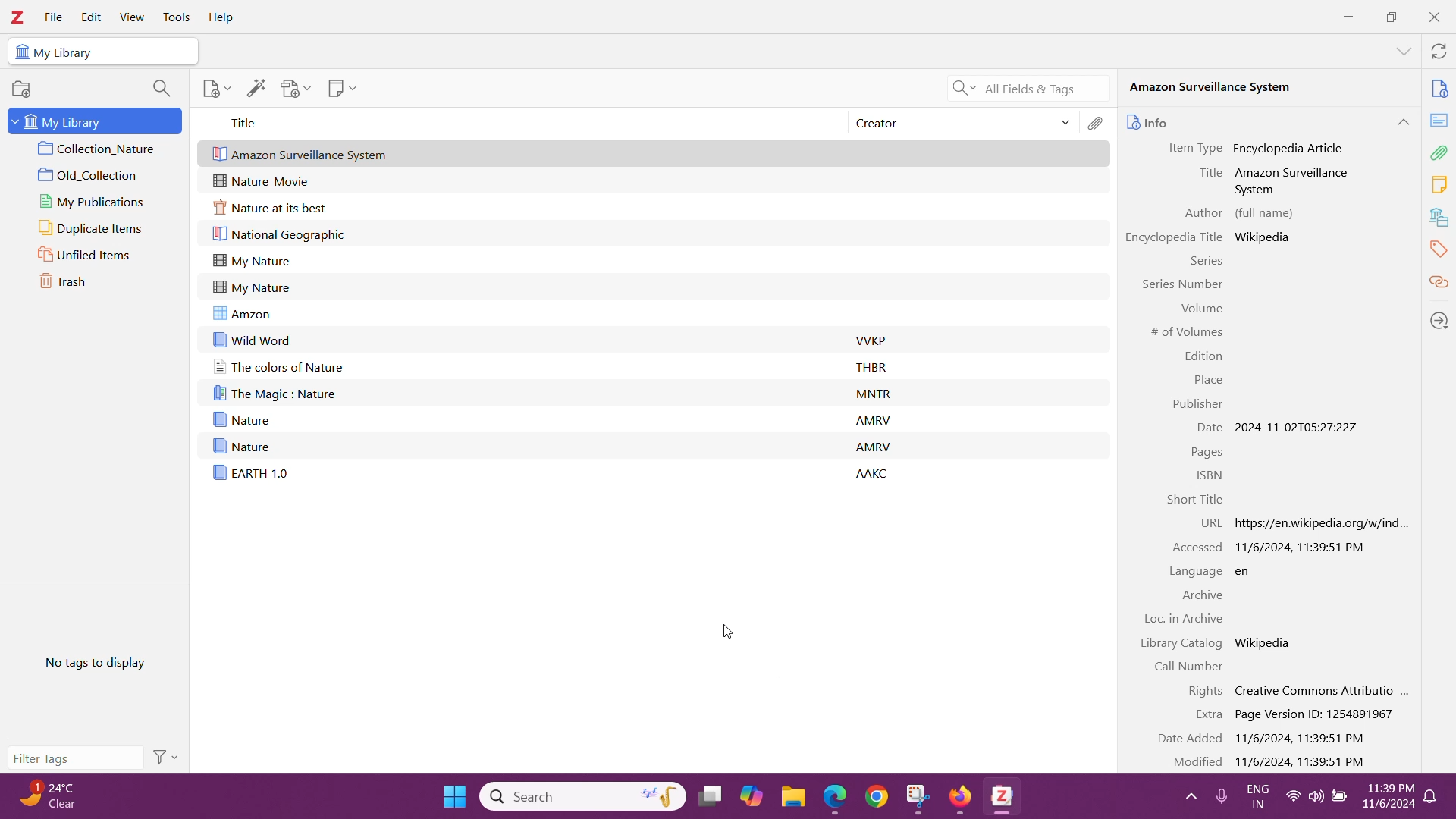 The height and width of the screenshot is (819, 1456). Describe the element at coordinates (1441, 90) in the screenshot. I see `Info` at that location.